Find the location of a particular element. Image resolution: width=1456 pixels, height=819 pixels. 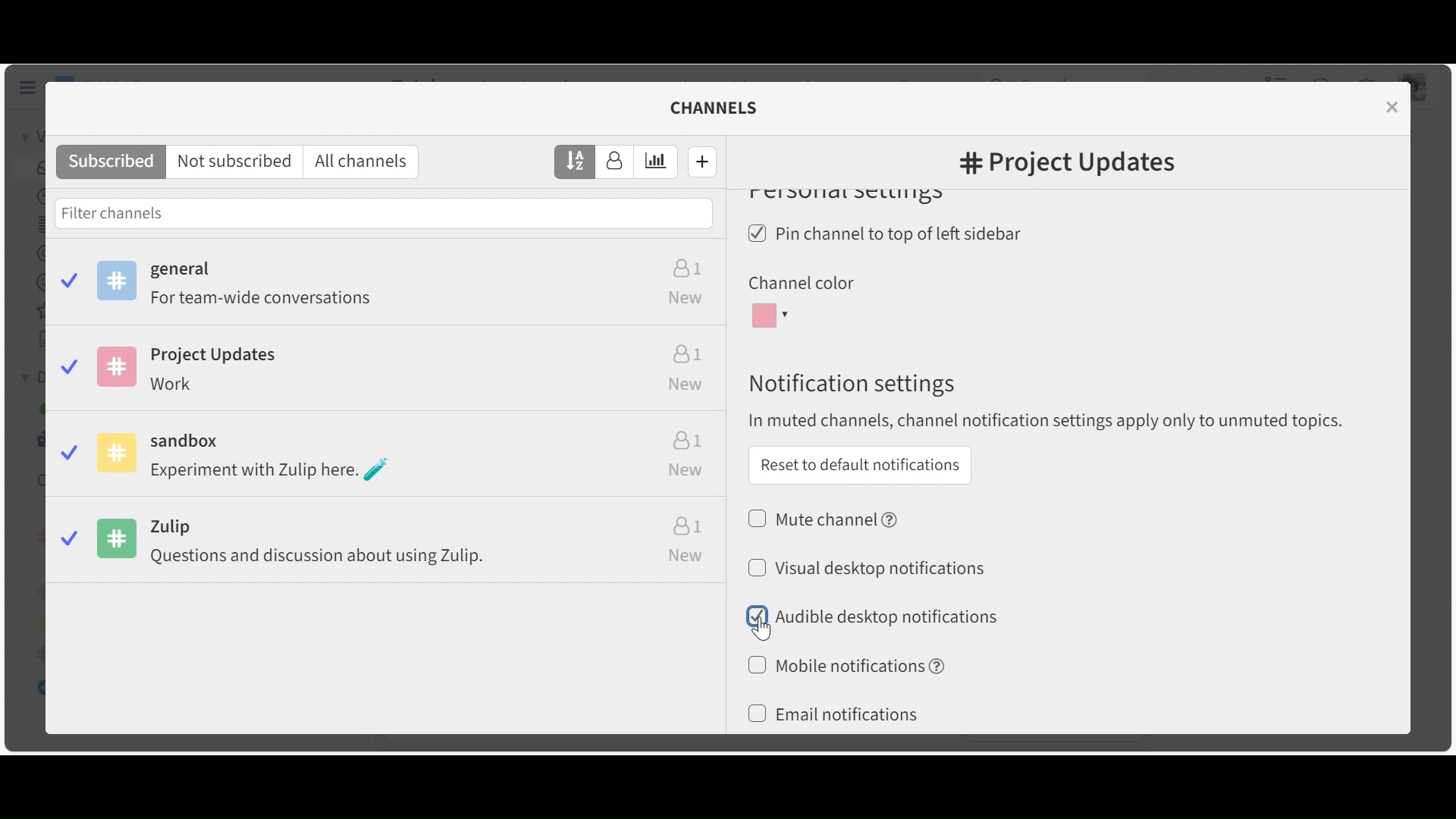

channels is located at coordinates (723, 108).